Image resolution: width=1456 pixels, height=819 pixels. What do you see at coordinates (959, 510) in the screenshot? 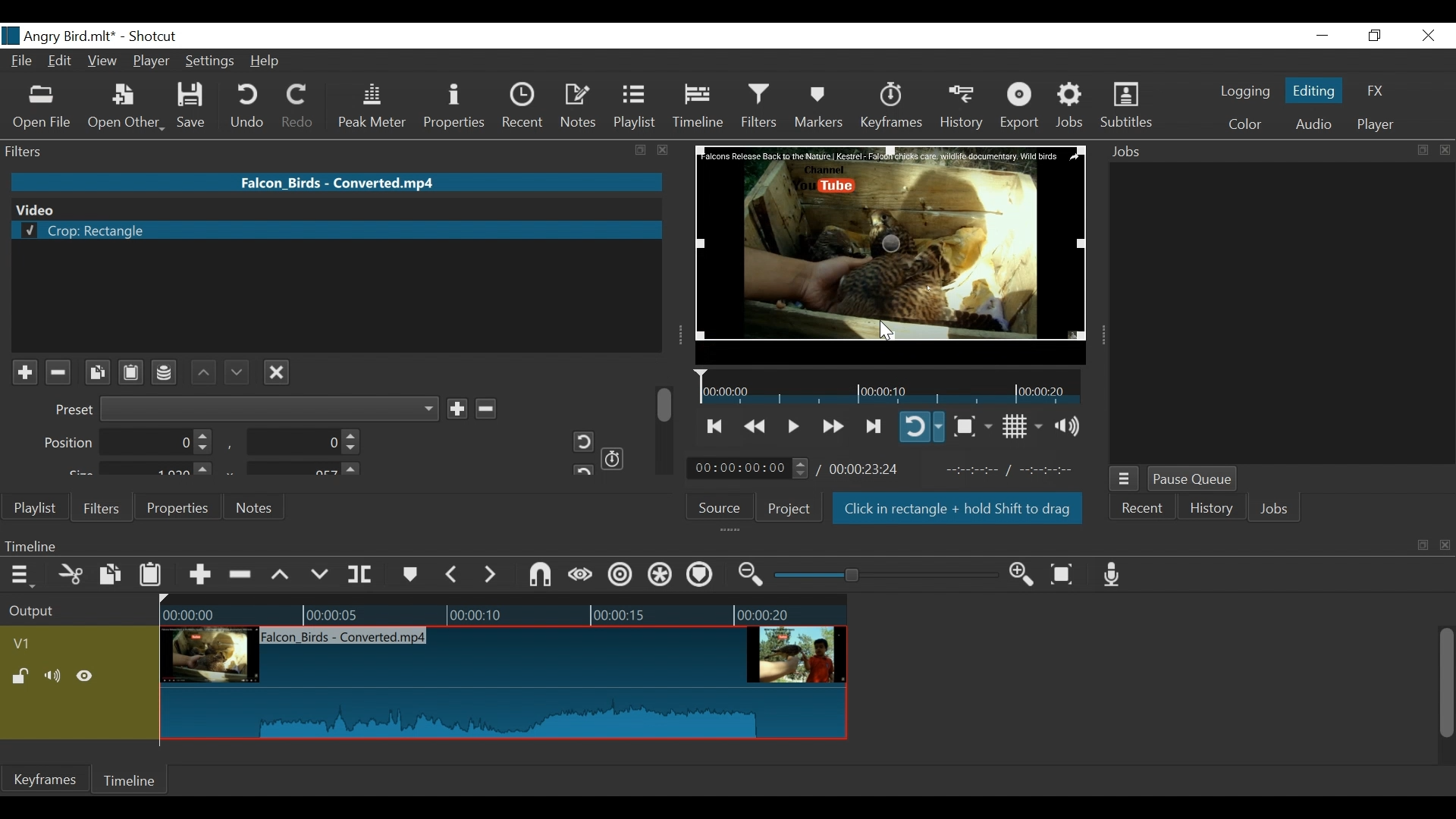
I see `click in rectangle + hold shift to drag` at bounding box center [959, 510].